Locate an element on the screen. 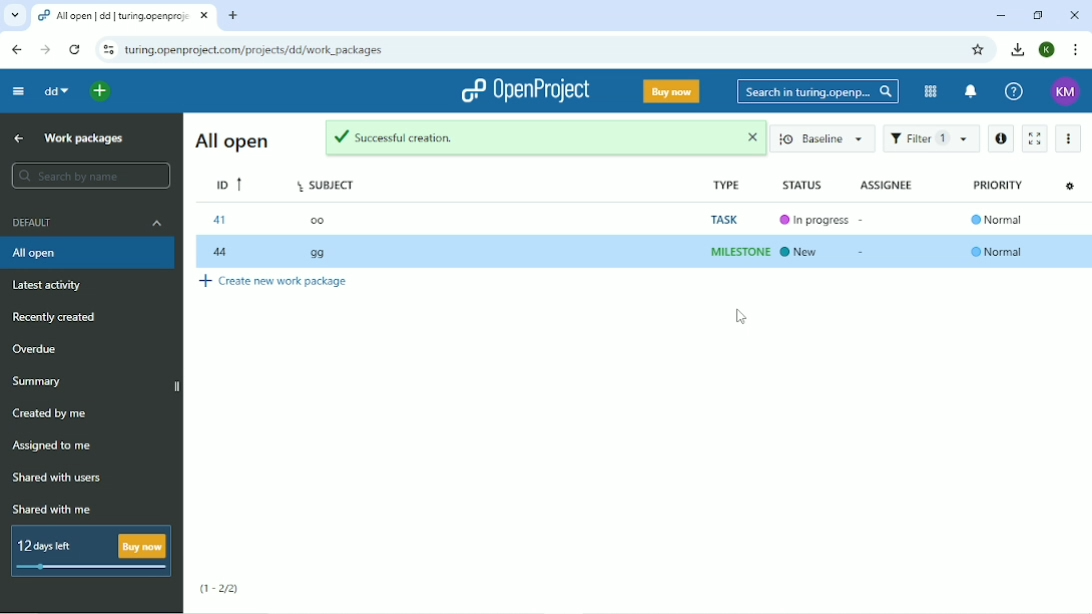 The height and width of the screenshot is (614, 1092). All open is located at coordinates (230, 141).